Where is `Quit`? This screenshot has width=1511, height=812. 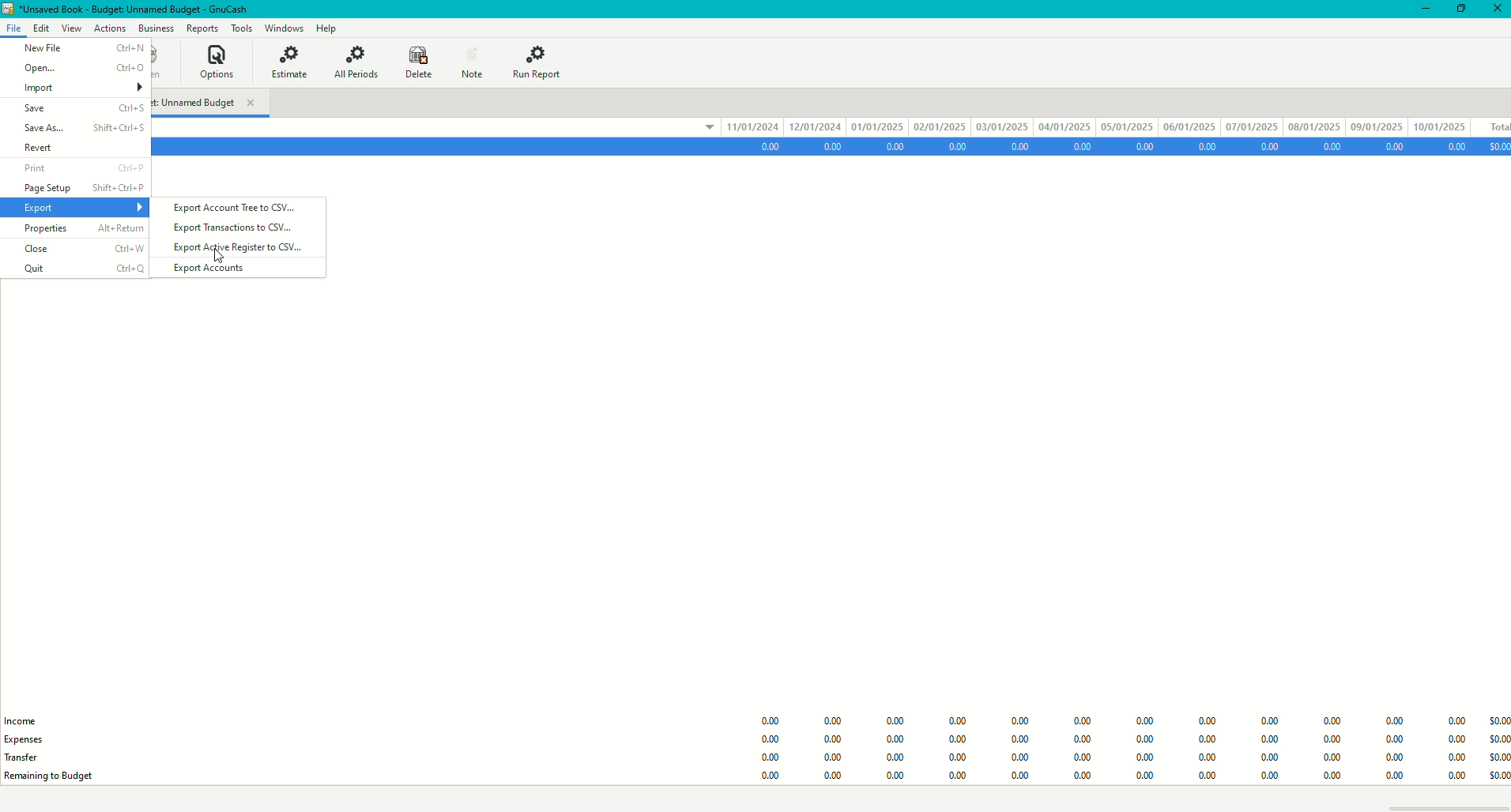 Quit is located at coordinates (82, 269).